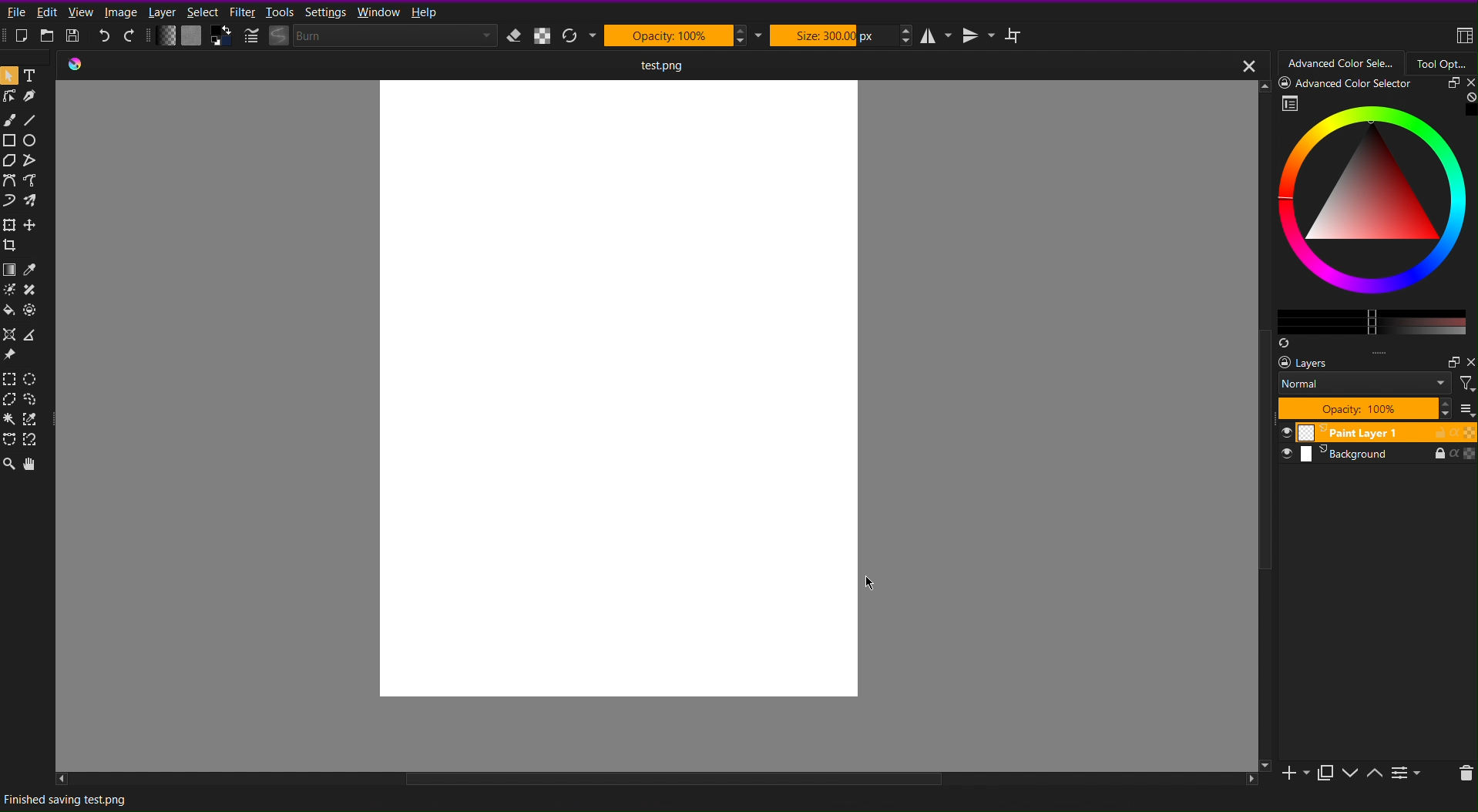 The height and width of the screenshot is (812, 1478). What do you see at coordinates (22, 409) in the screenshot?
I see `Selection Tools` at bounding box center [22, 409].